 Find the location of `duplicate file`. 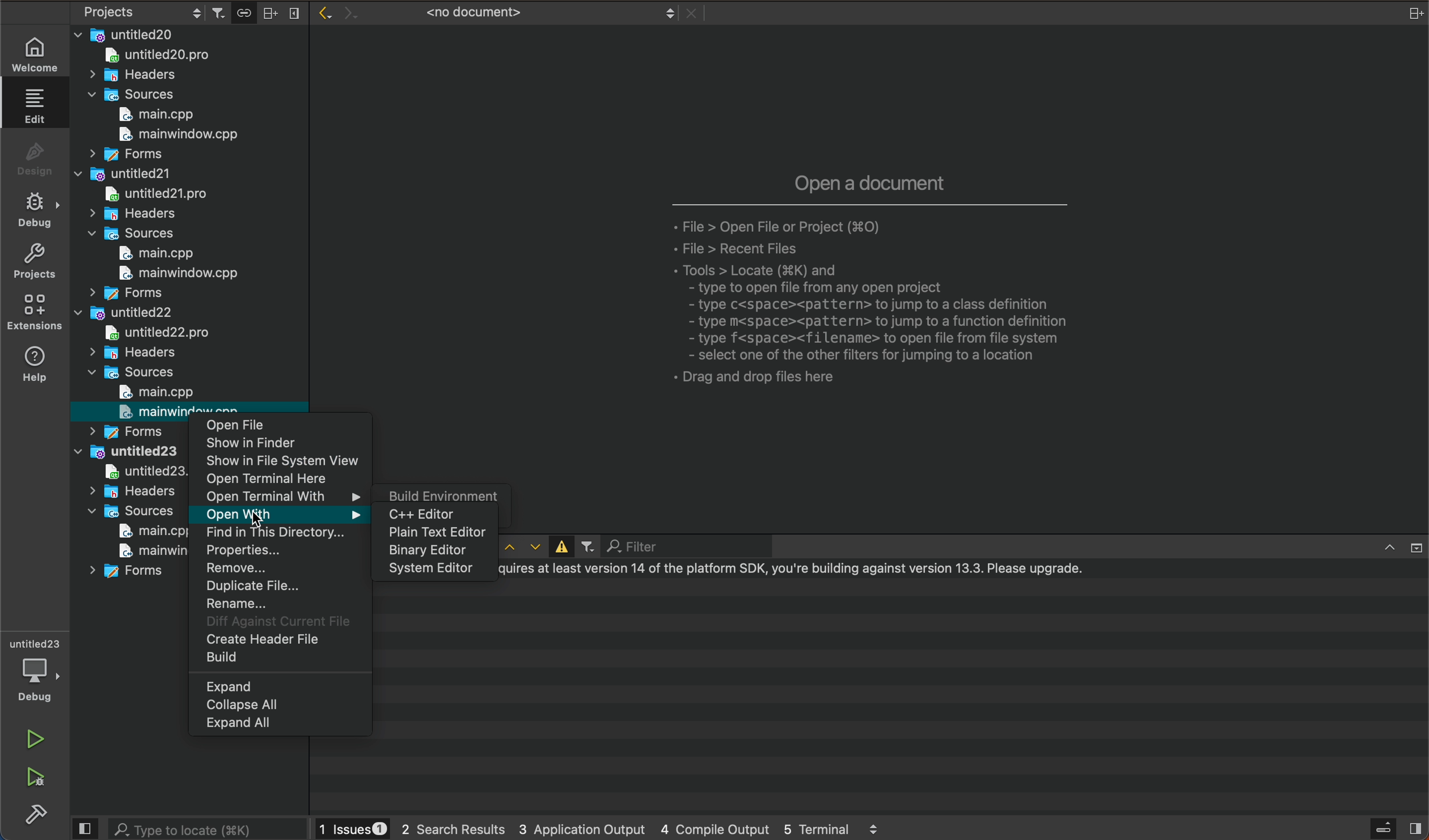

duplicate file is located at coordinates (280, 587).